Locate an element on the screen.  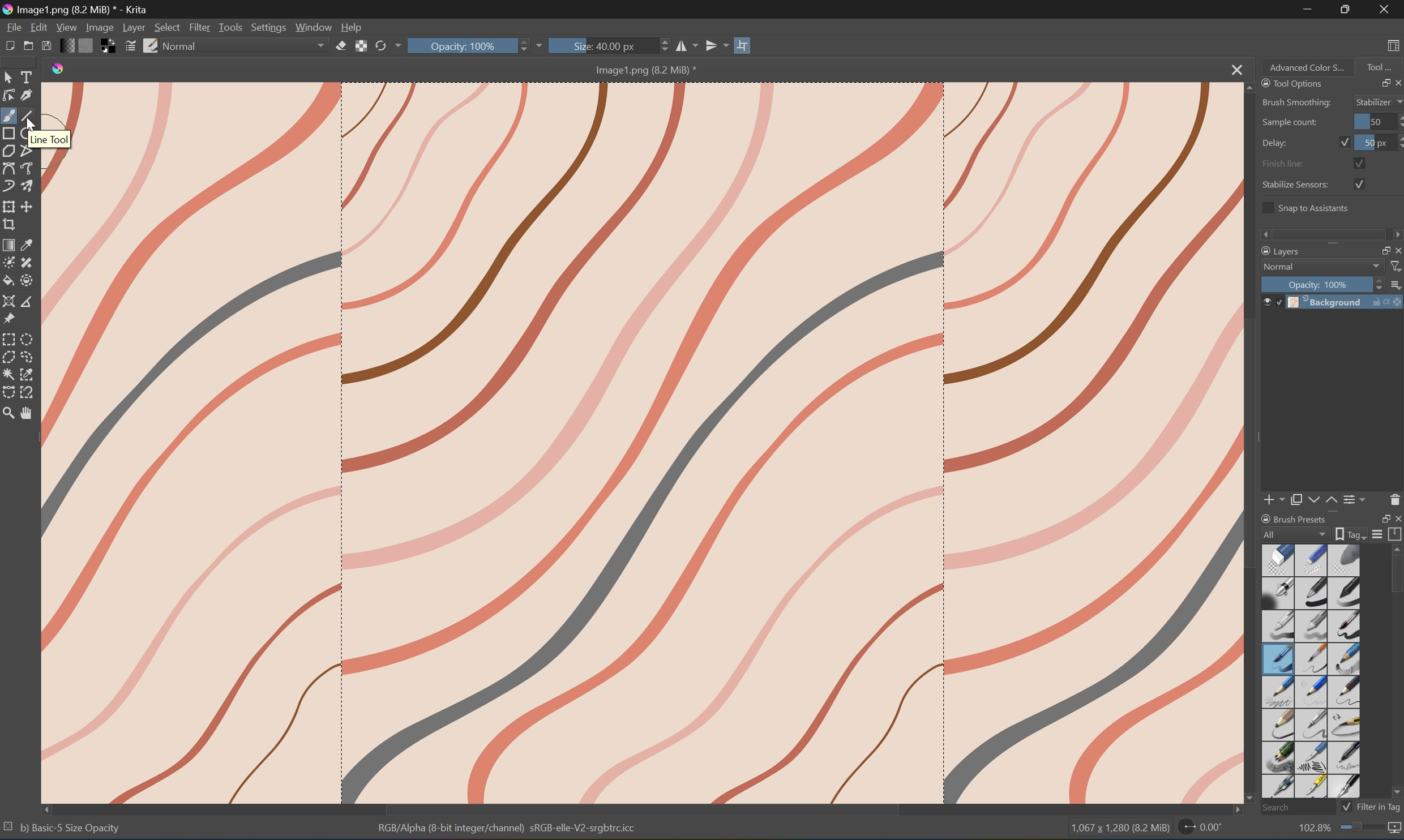
Advanced Color S... is located at coordinates (1308, 68).